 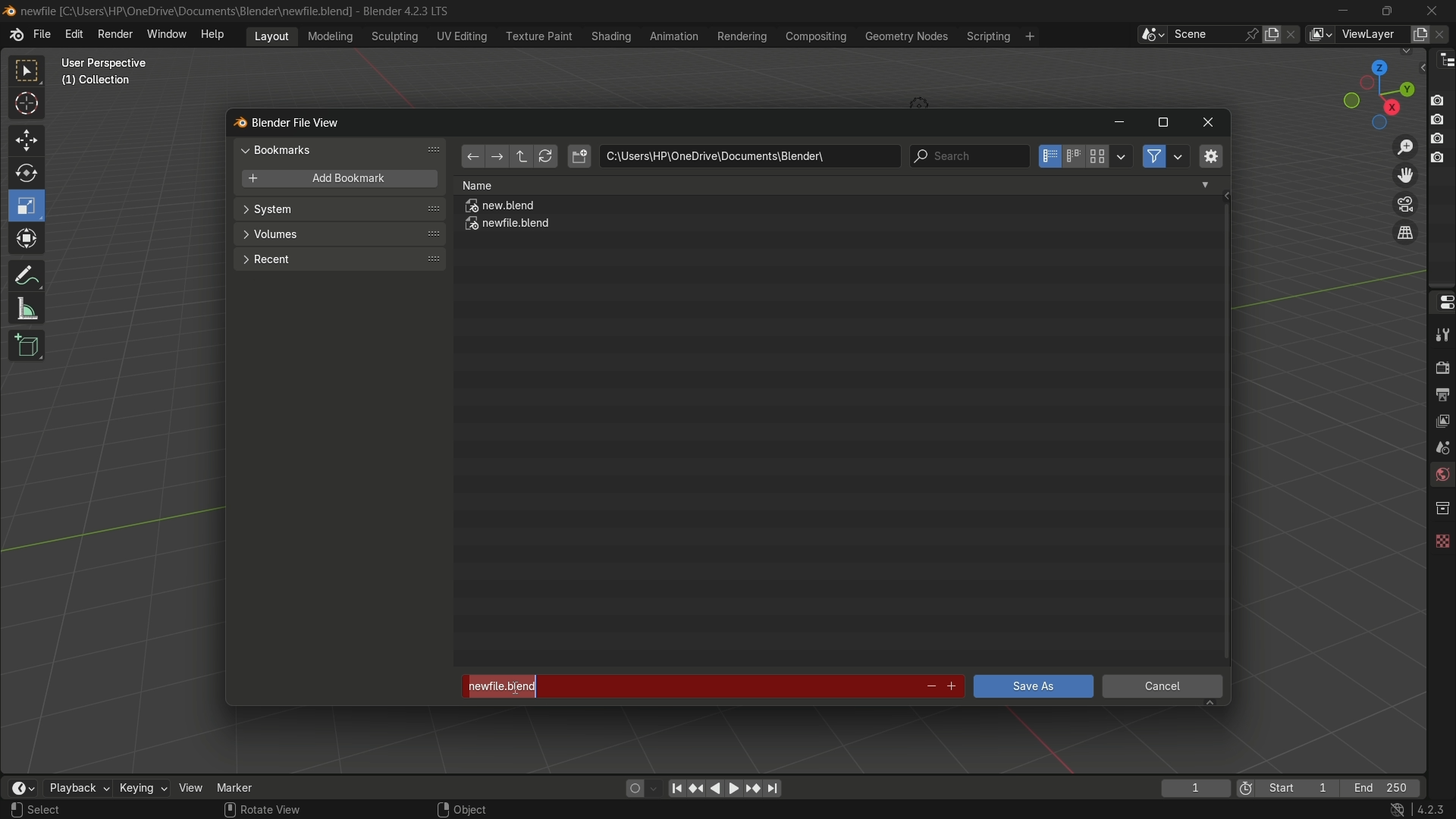 What do you see at coordinates (545, 157) in the screenshot?
I see `refresh` at bounding box center [545, 157].